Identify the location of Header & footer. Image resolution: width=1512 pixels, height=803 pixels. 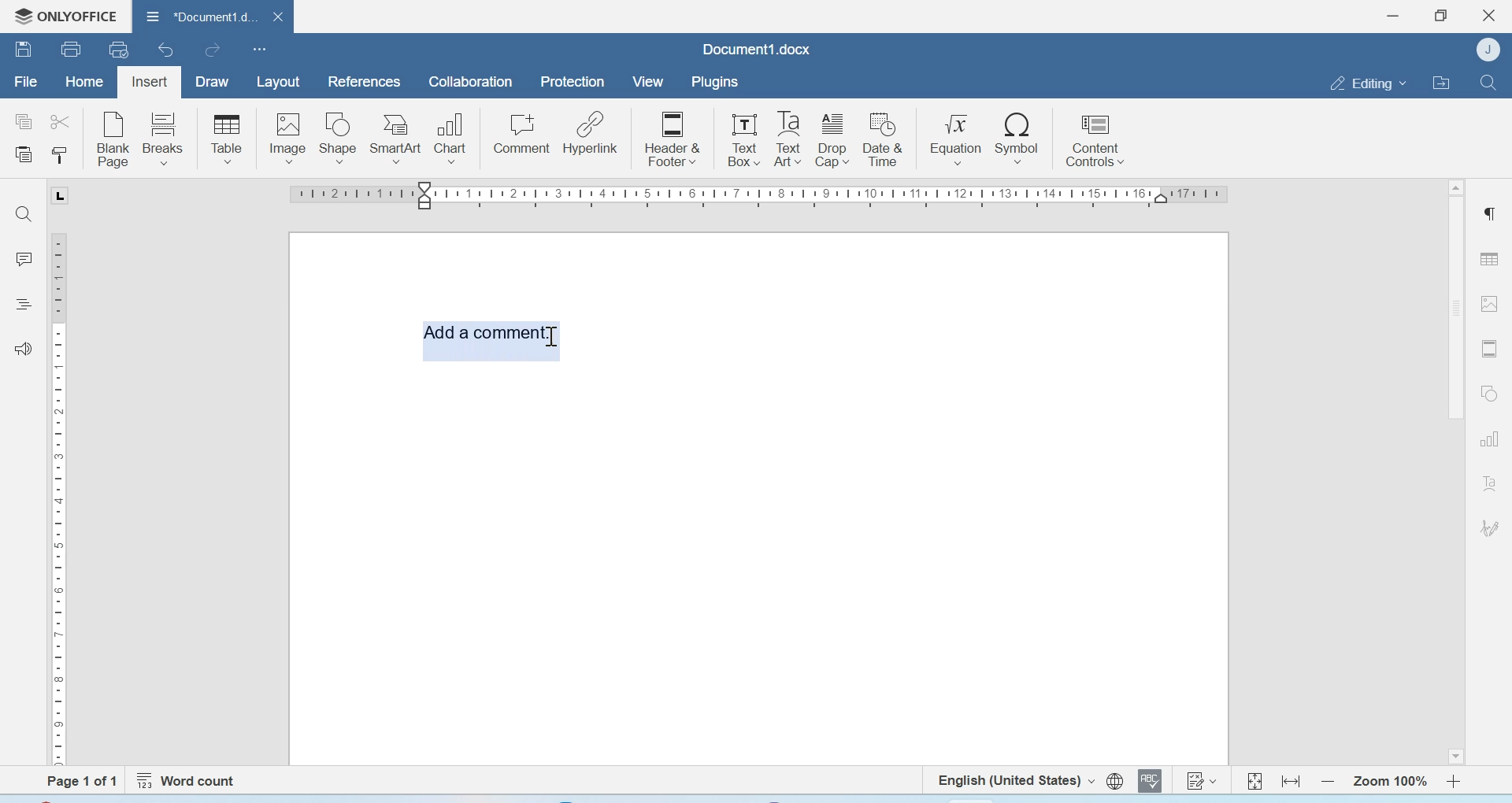
(1490, 349).